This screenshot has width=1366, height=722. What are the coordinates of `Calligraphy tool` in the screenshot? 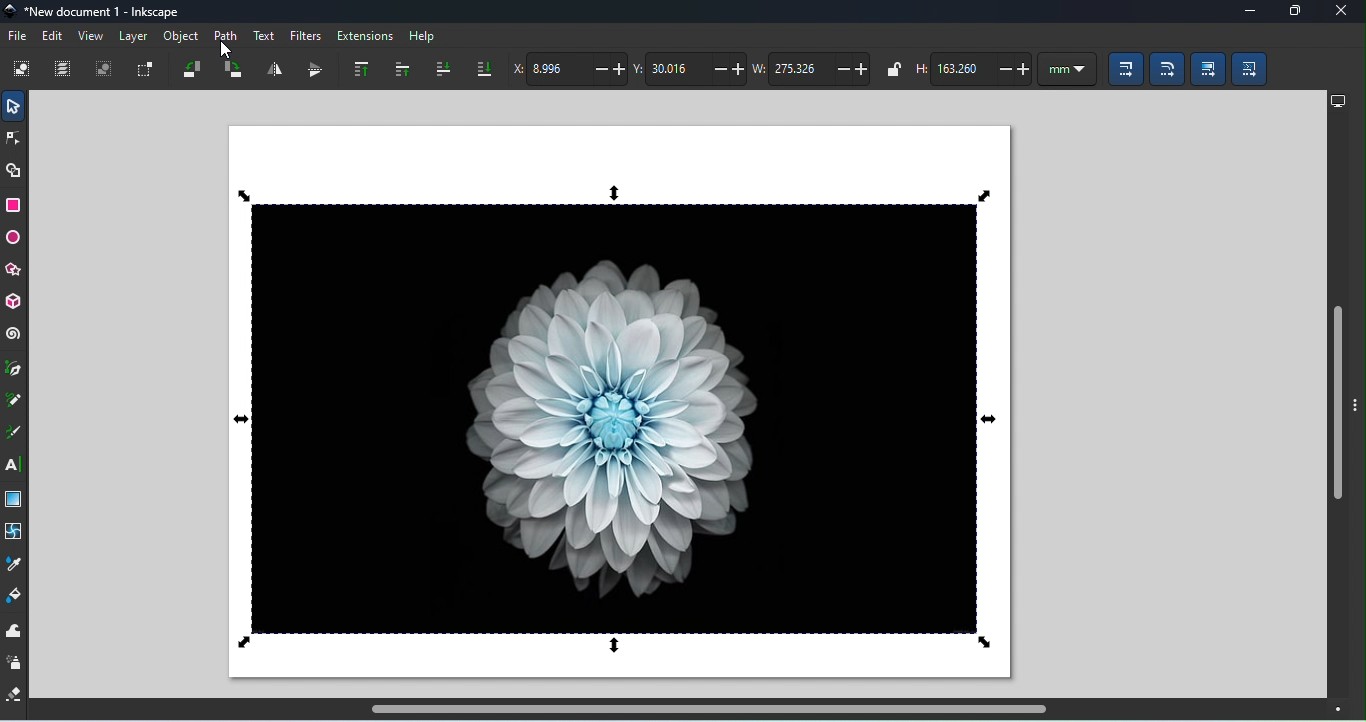 It's located at (13, 435).